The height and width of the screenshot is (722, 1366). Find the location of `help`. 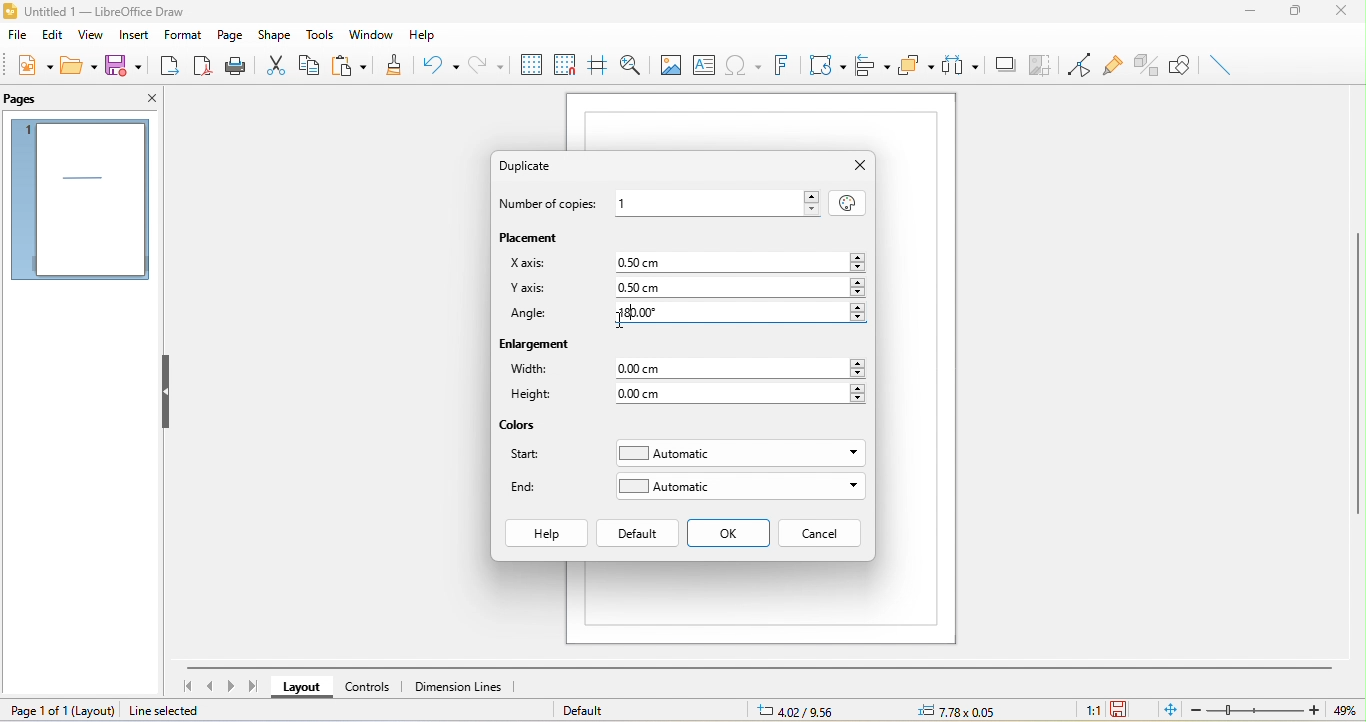

help is located at coordinates (545, 534).